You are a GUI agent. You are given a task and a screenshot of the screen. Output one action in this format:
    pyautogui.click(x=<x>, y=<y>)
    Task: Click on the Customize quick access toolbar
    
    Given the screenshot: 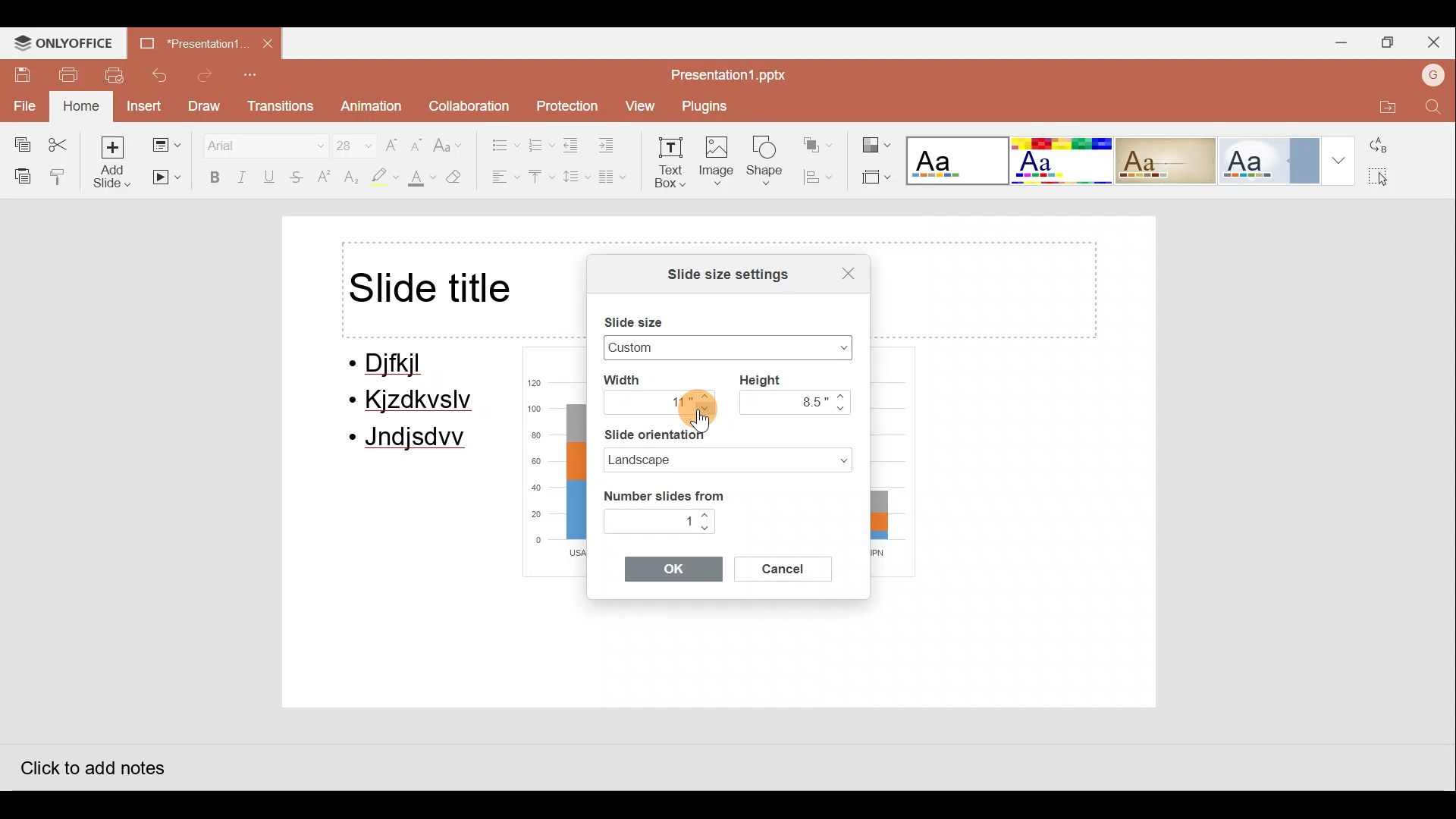 What is the action you would take?
    pyautogui.click(x=254, y=76)
    